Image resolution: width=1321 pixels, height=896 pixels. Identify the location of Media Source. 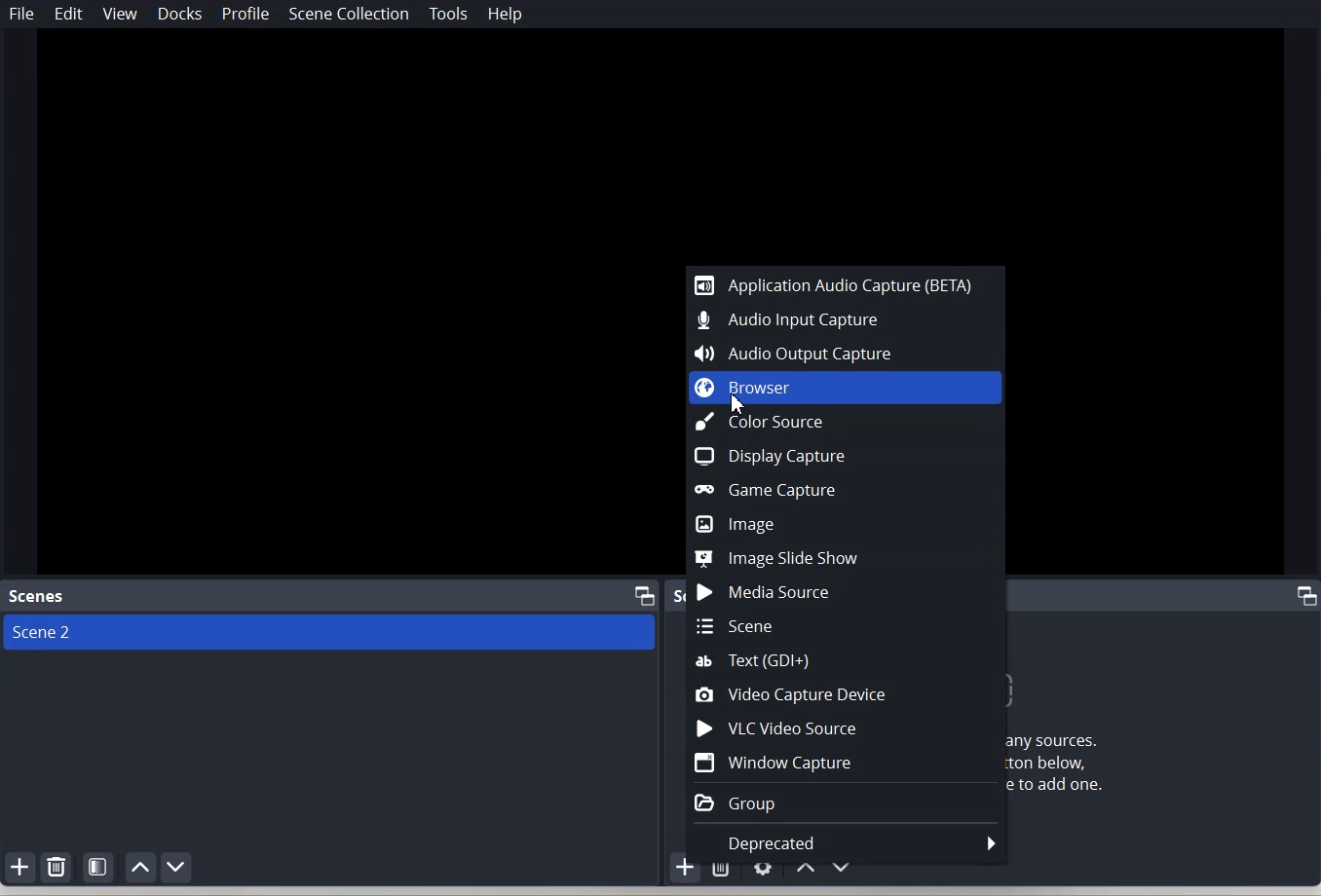
(848, 591).